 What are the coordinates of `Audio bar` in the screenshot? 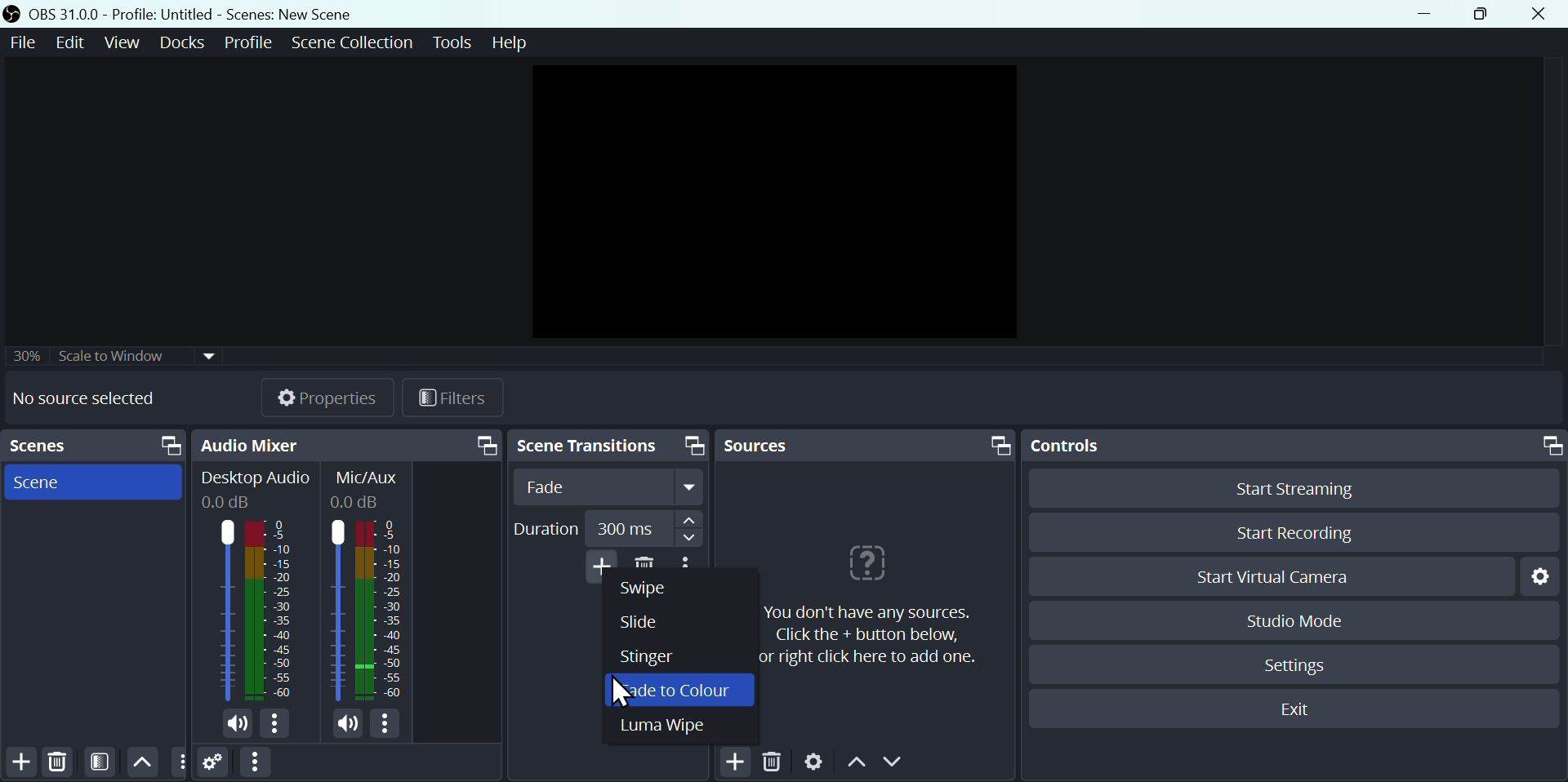 It's located at (253, 610).